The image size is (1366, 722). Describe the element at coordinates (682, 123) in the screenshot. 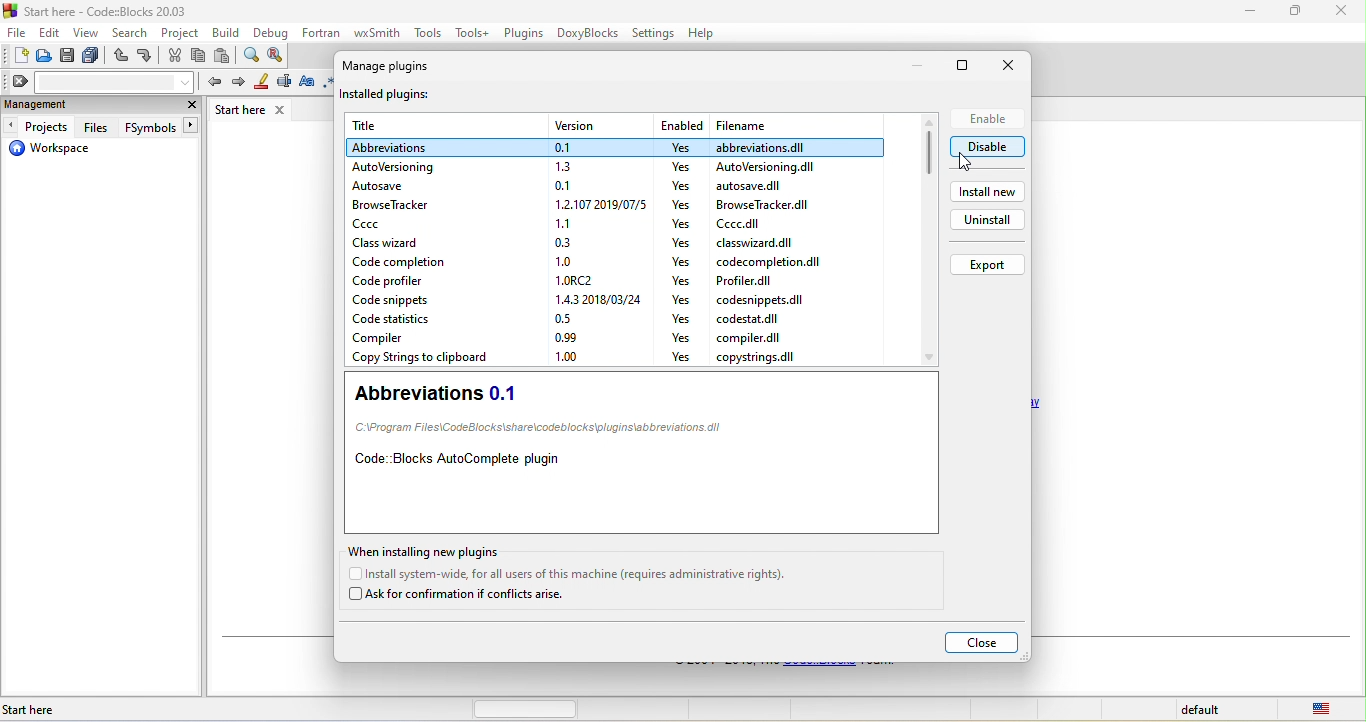

I see `enabled` at that location.